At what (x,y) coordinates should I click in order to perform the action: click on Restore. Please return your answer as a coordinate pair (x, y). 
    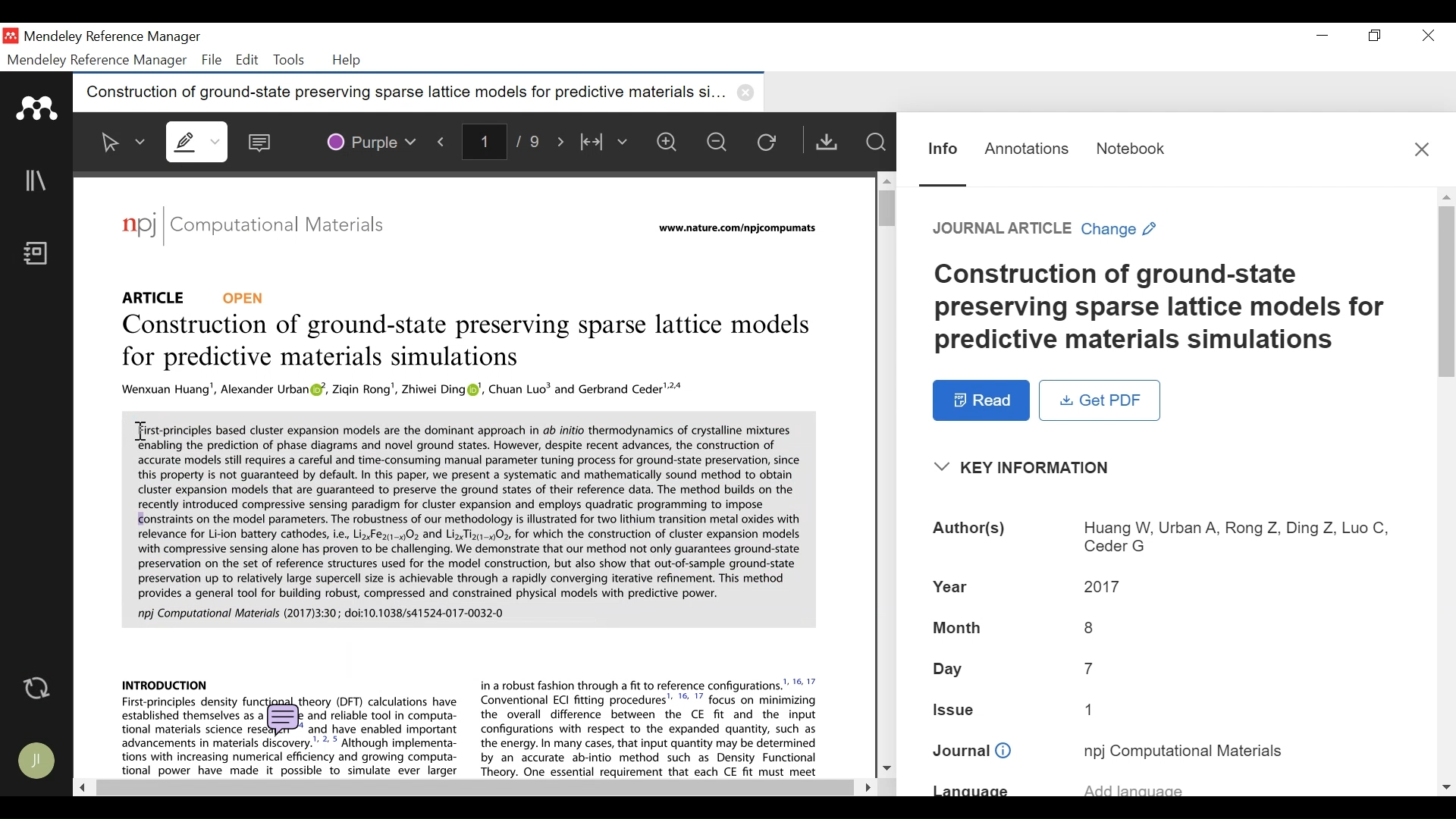
    Looking at the image, I should click on (1376, 36).